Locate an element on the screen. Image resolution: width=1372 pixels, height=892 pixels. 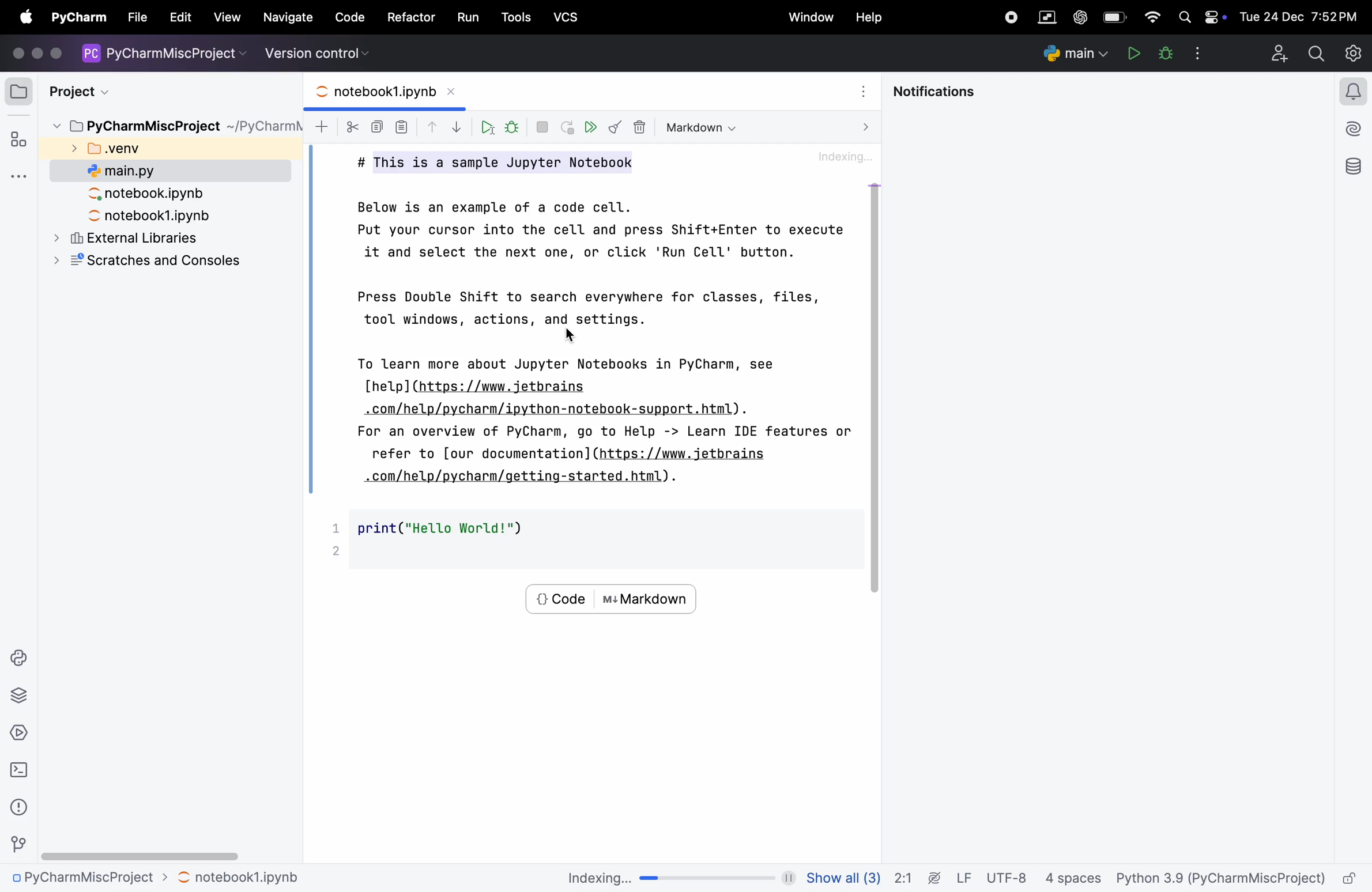
PyCharmMiscProject  is located at coordinates (87, 878).